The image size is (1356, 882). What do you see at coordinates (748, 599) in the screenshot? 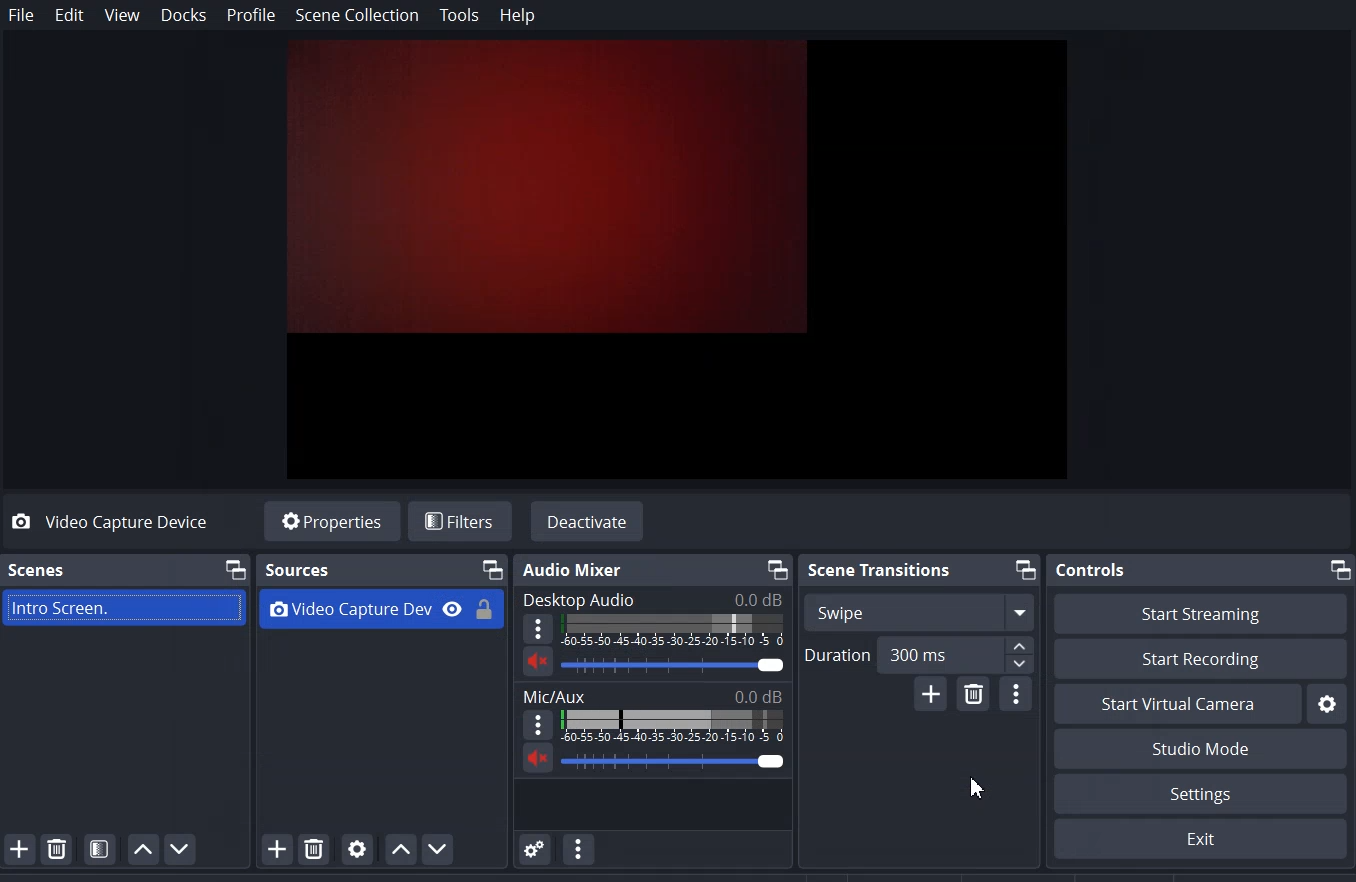
I see `0.0 dB` at bounding box center [748, 599].